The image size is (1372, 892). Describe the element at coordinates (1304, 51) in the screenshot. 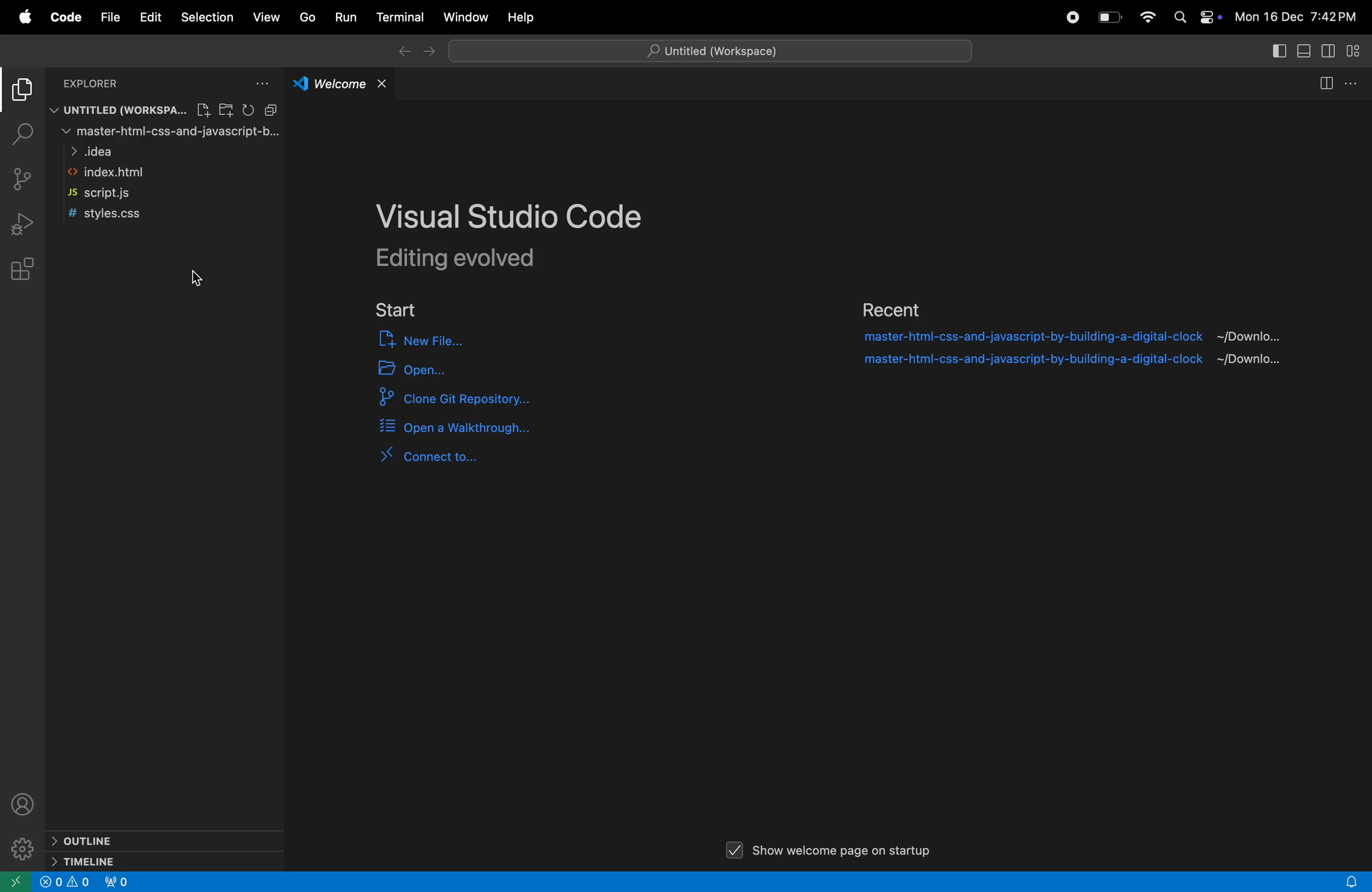

I see `toggle primary sidebar` at that location.